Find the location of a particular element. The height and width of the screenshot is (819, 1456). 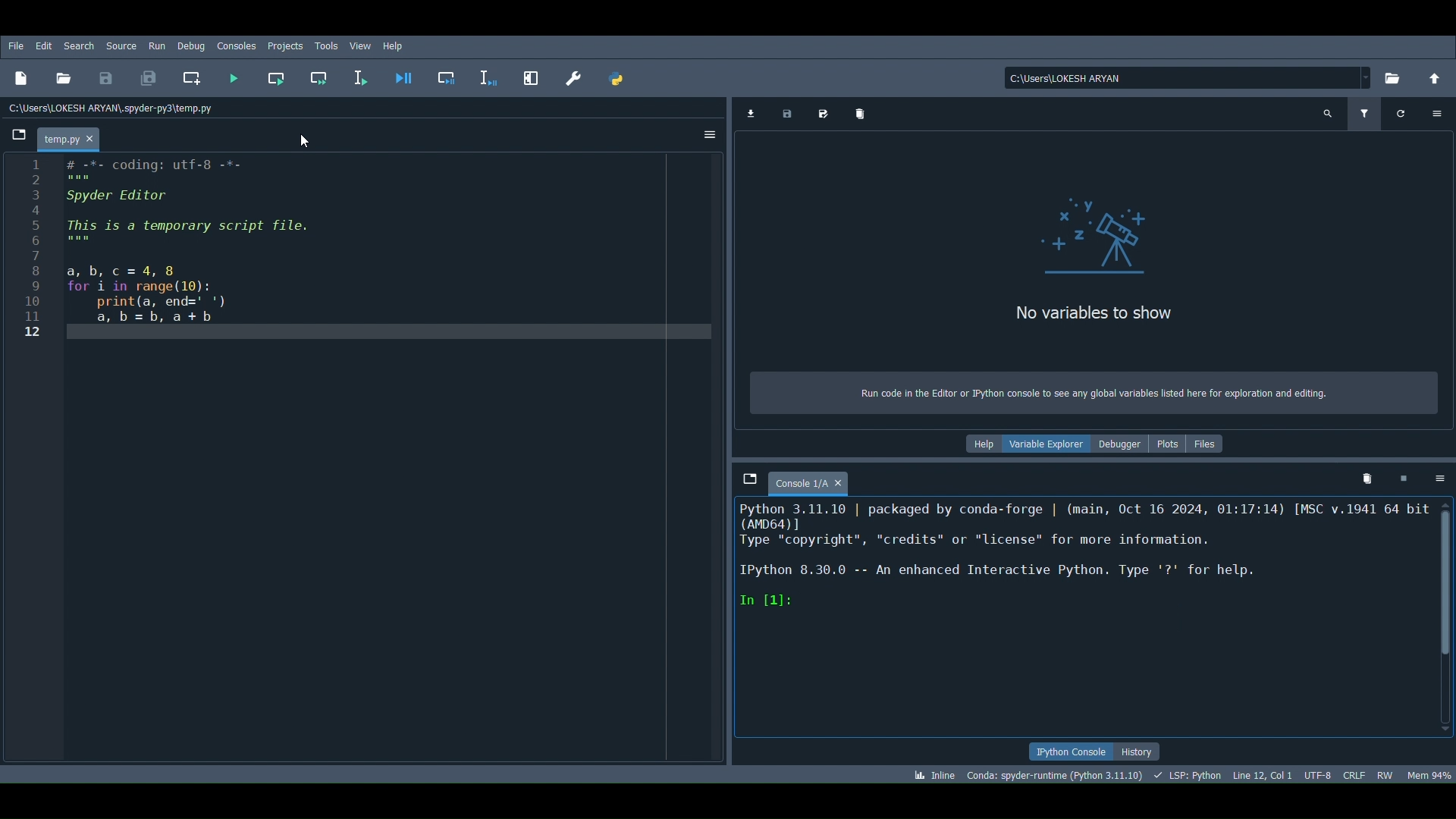

File location is located at coordinates (1191, 78).